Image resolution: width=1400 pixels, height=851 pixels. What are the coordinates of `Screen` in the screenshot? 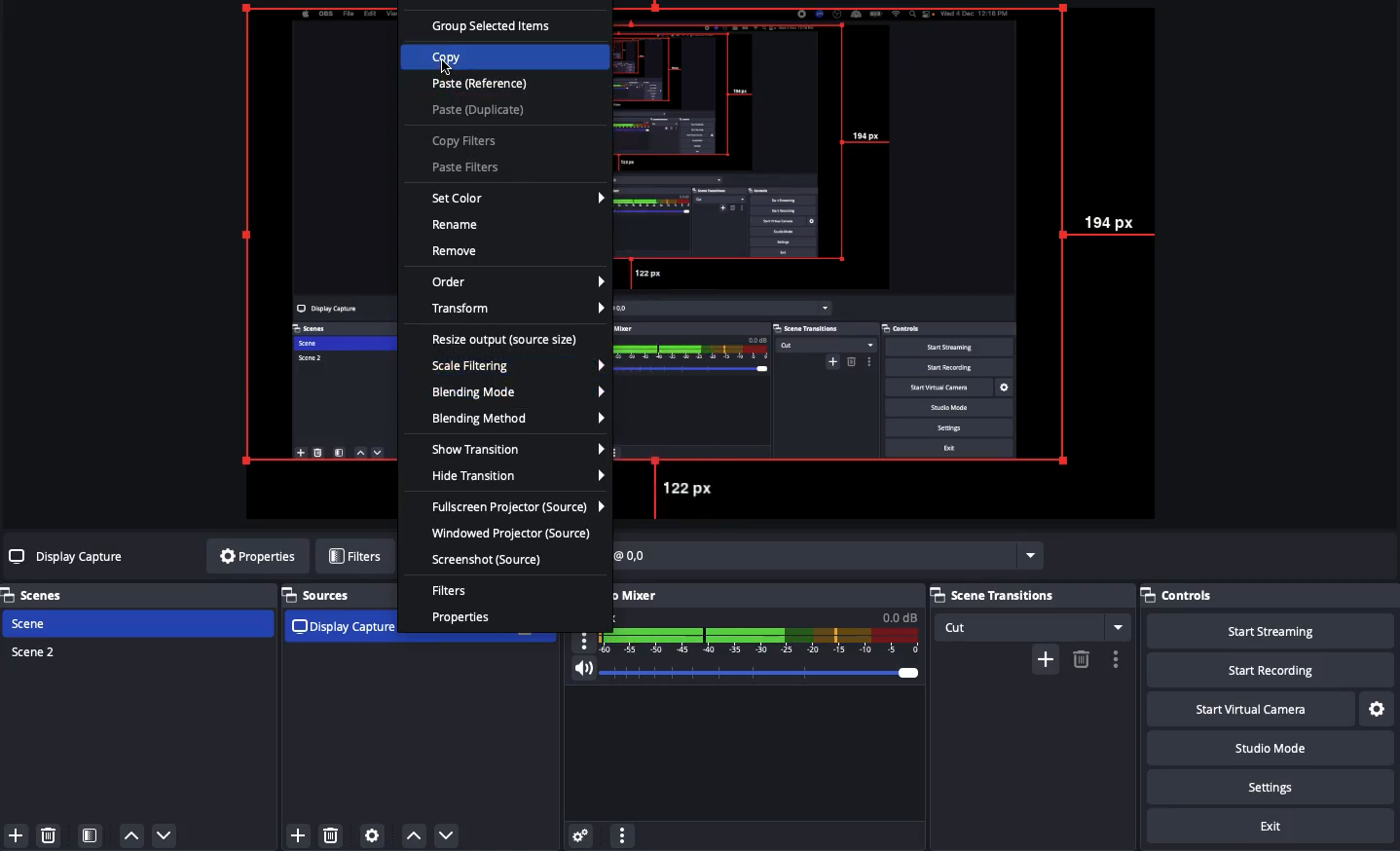 It's located at (893, 262).